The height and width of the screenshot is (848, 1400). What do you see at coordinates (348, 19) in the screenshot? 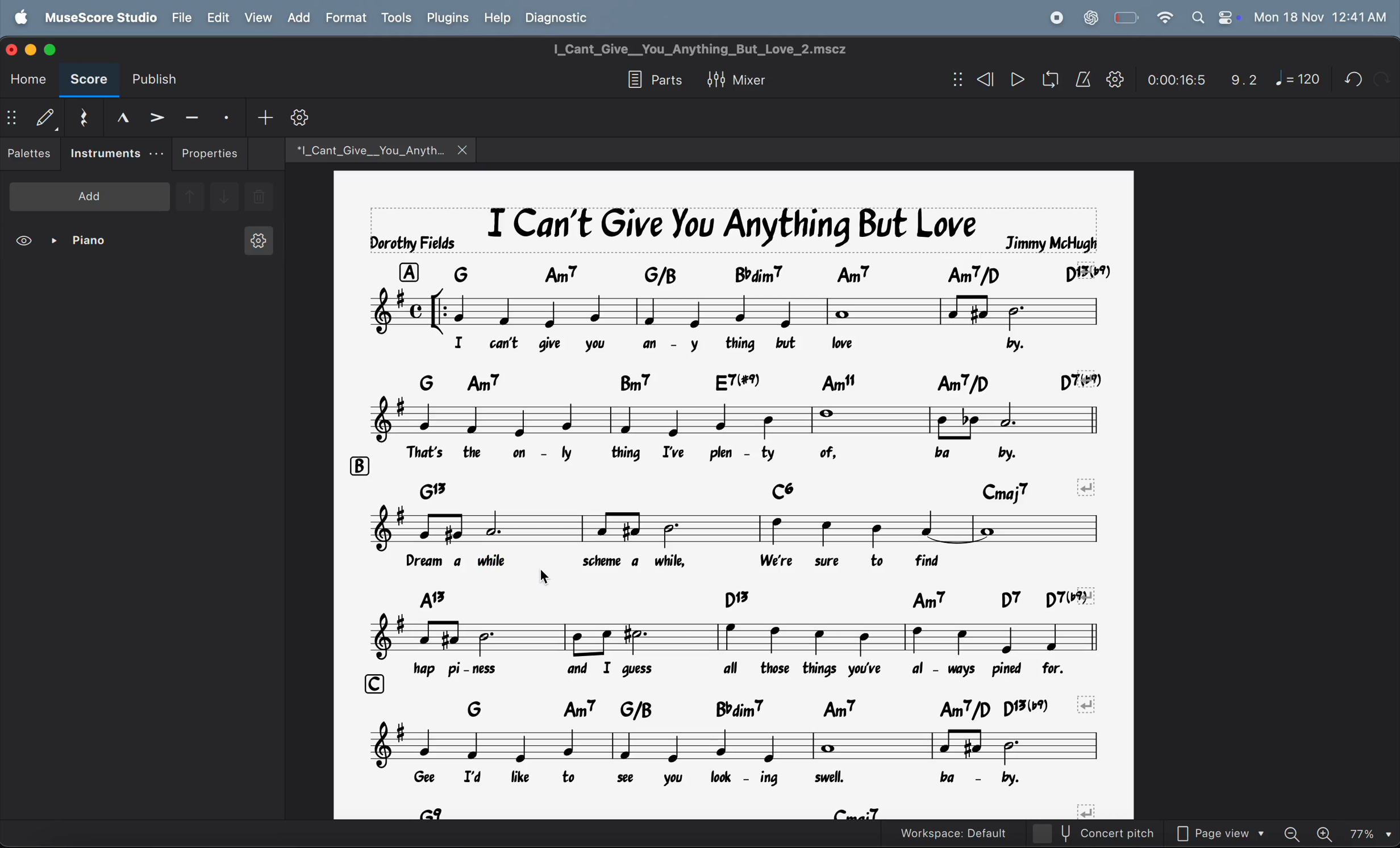
I see `format` at bounding box center [348, 19].